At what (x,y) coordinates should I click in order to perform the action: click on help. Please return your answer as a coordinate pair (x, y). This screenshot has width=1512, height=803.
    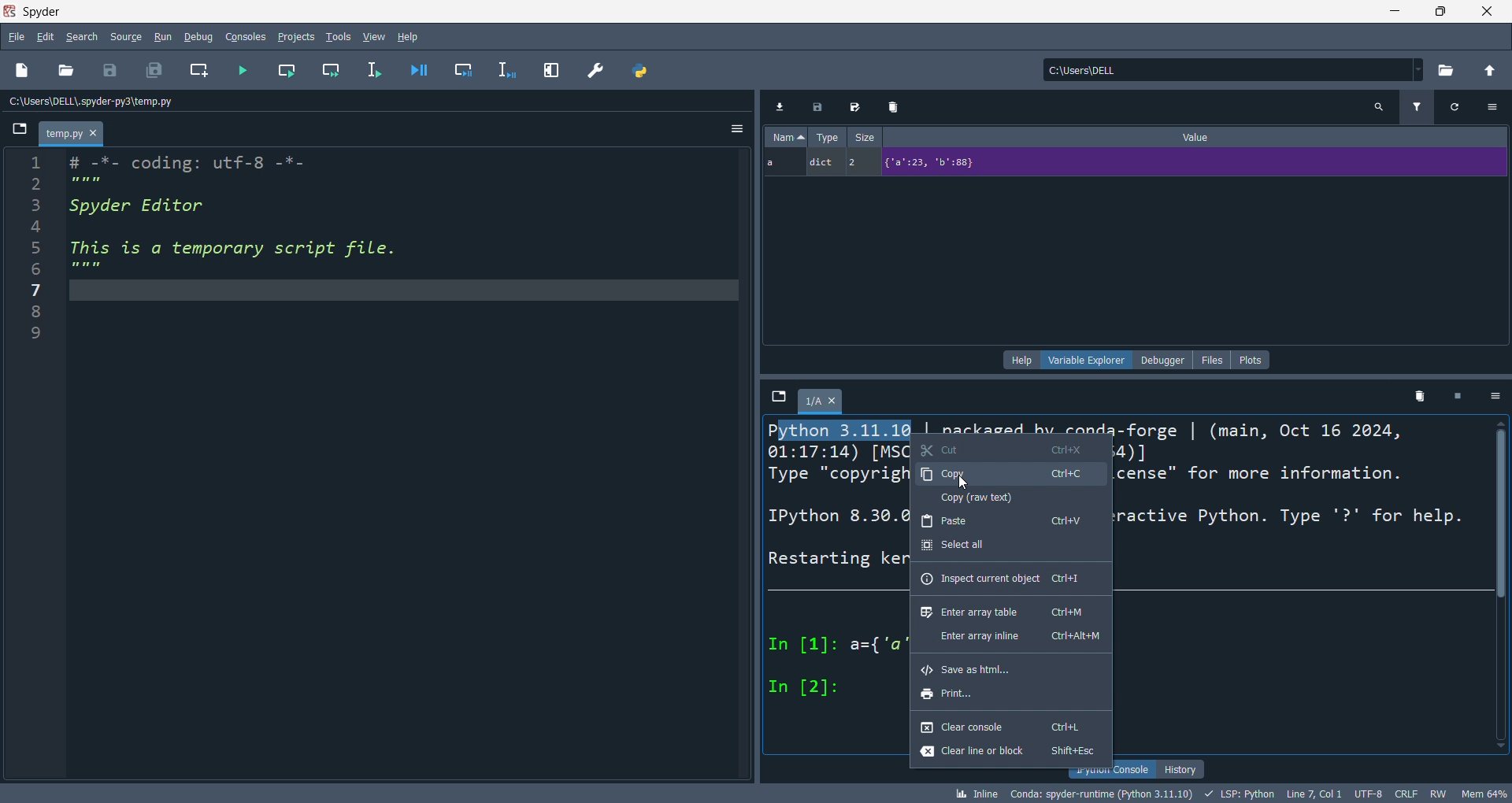
    Looking at the image, I should click on (411, 37).